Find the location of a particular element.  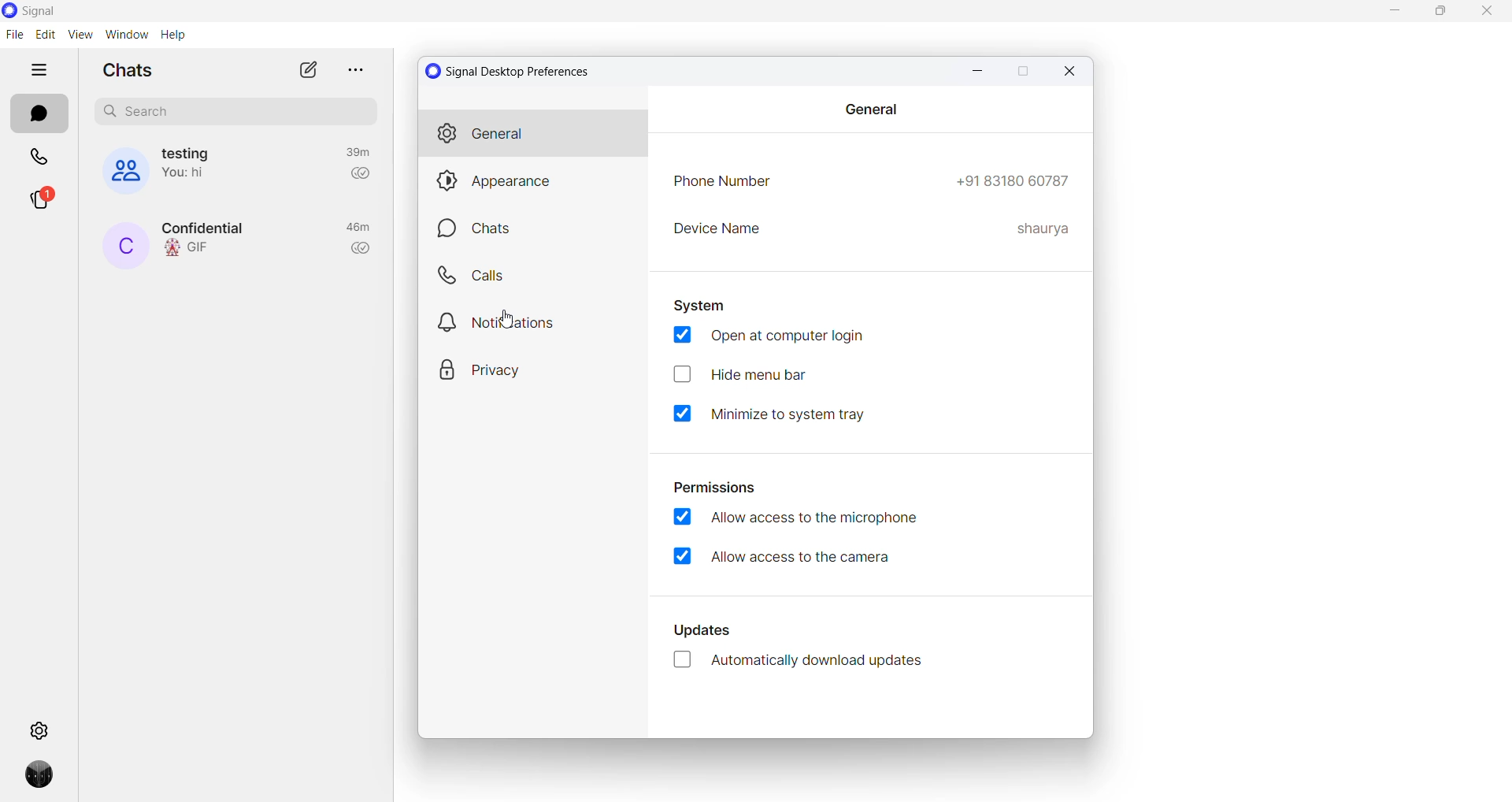

device name text is located at coordinates (719, 230).